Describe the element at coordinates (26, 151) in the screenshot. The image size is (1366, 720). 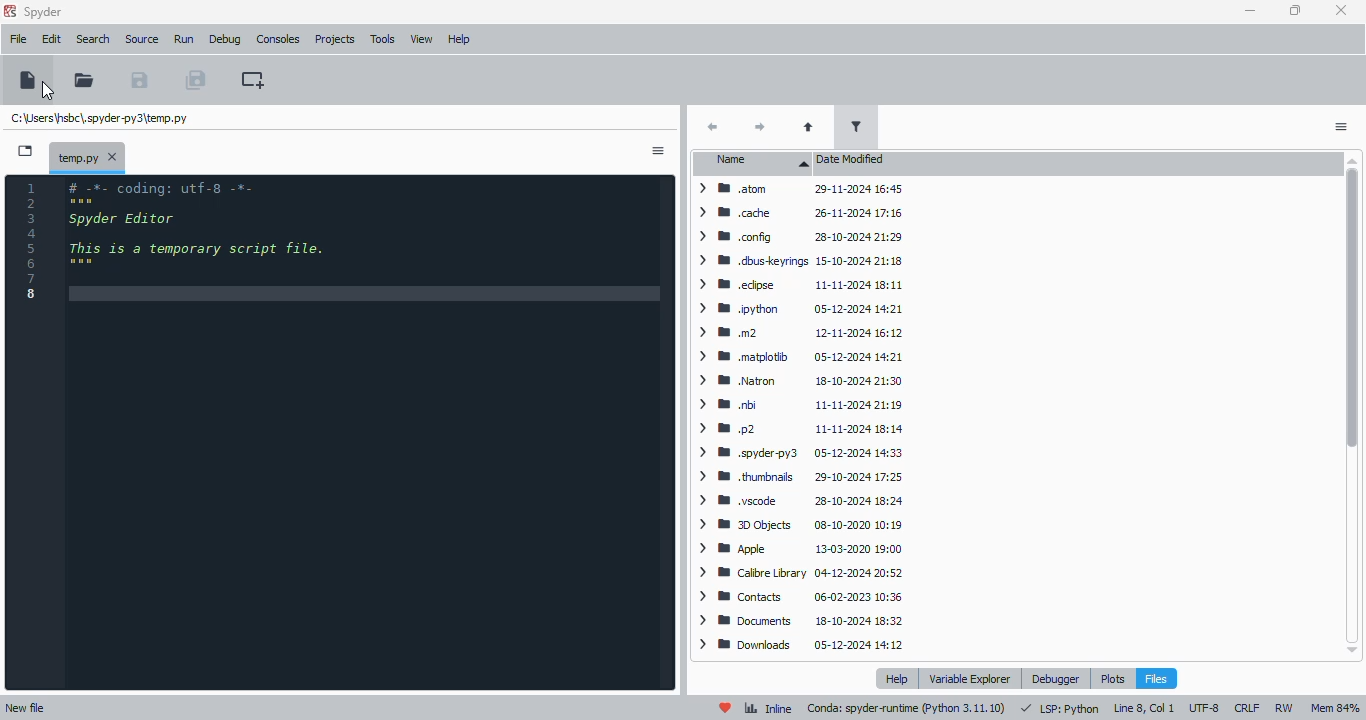
I see `browse tabs` at that location.